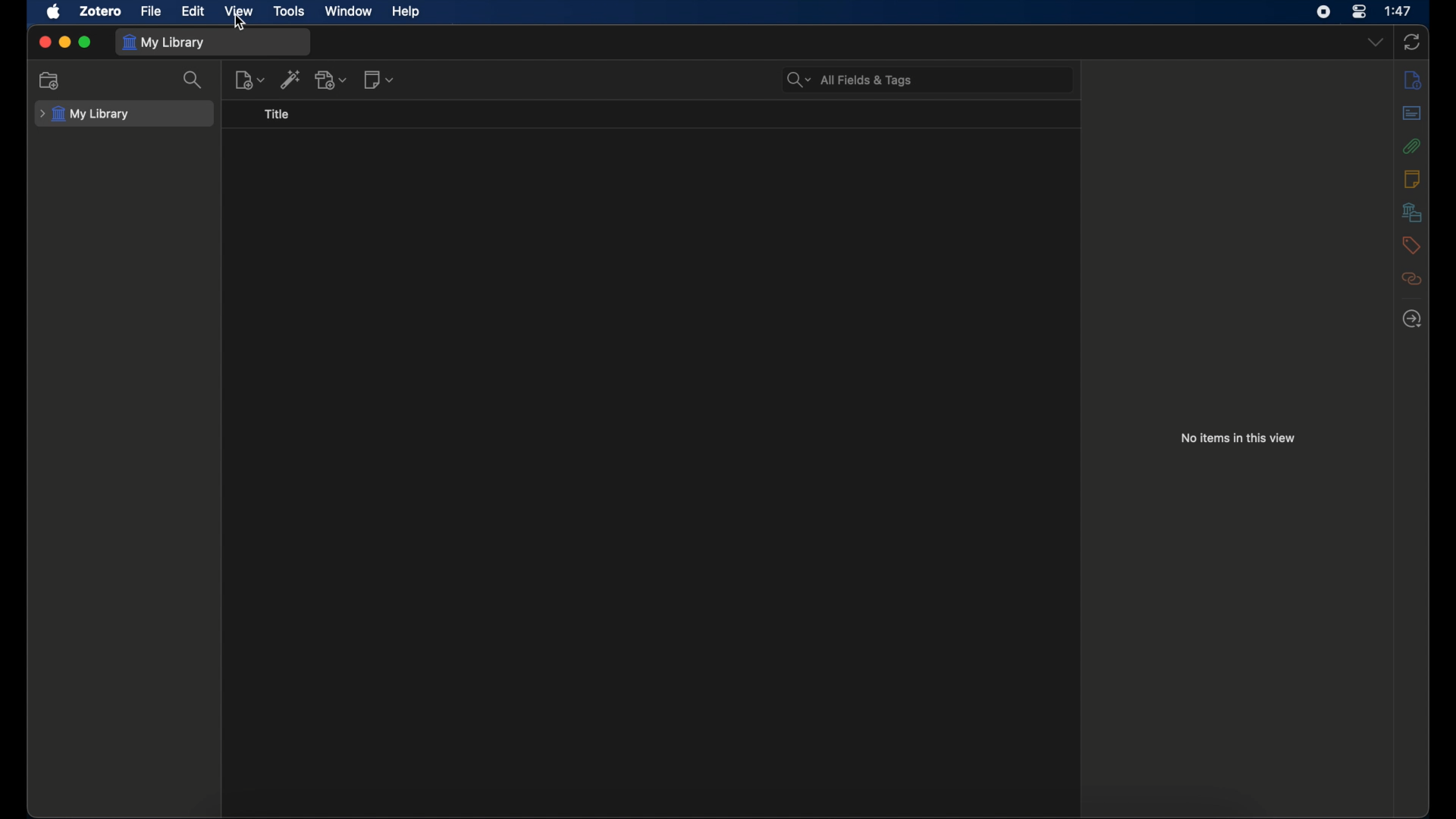 The image size is (1456, 819). I want to click on related, so click(1411, 278).